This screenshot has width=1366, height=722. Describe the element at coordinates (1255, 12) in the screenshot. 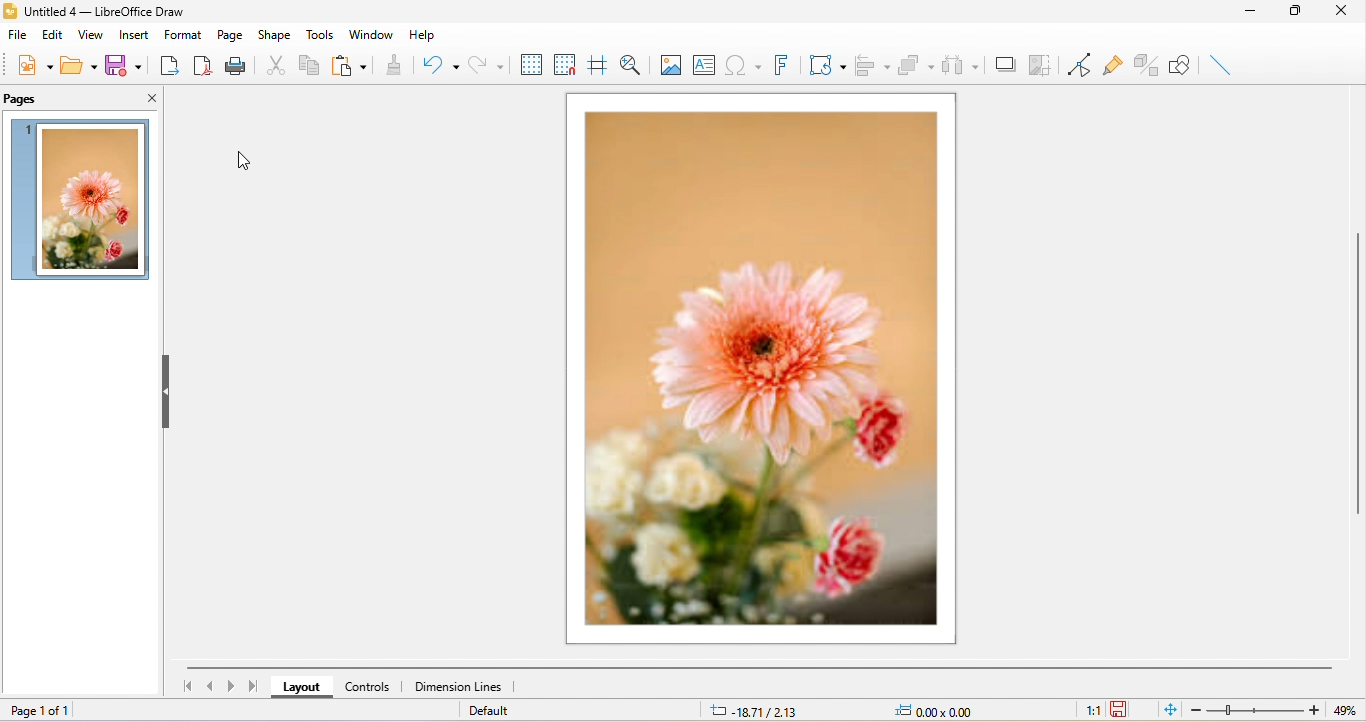

I see `minimize` at that location.